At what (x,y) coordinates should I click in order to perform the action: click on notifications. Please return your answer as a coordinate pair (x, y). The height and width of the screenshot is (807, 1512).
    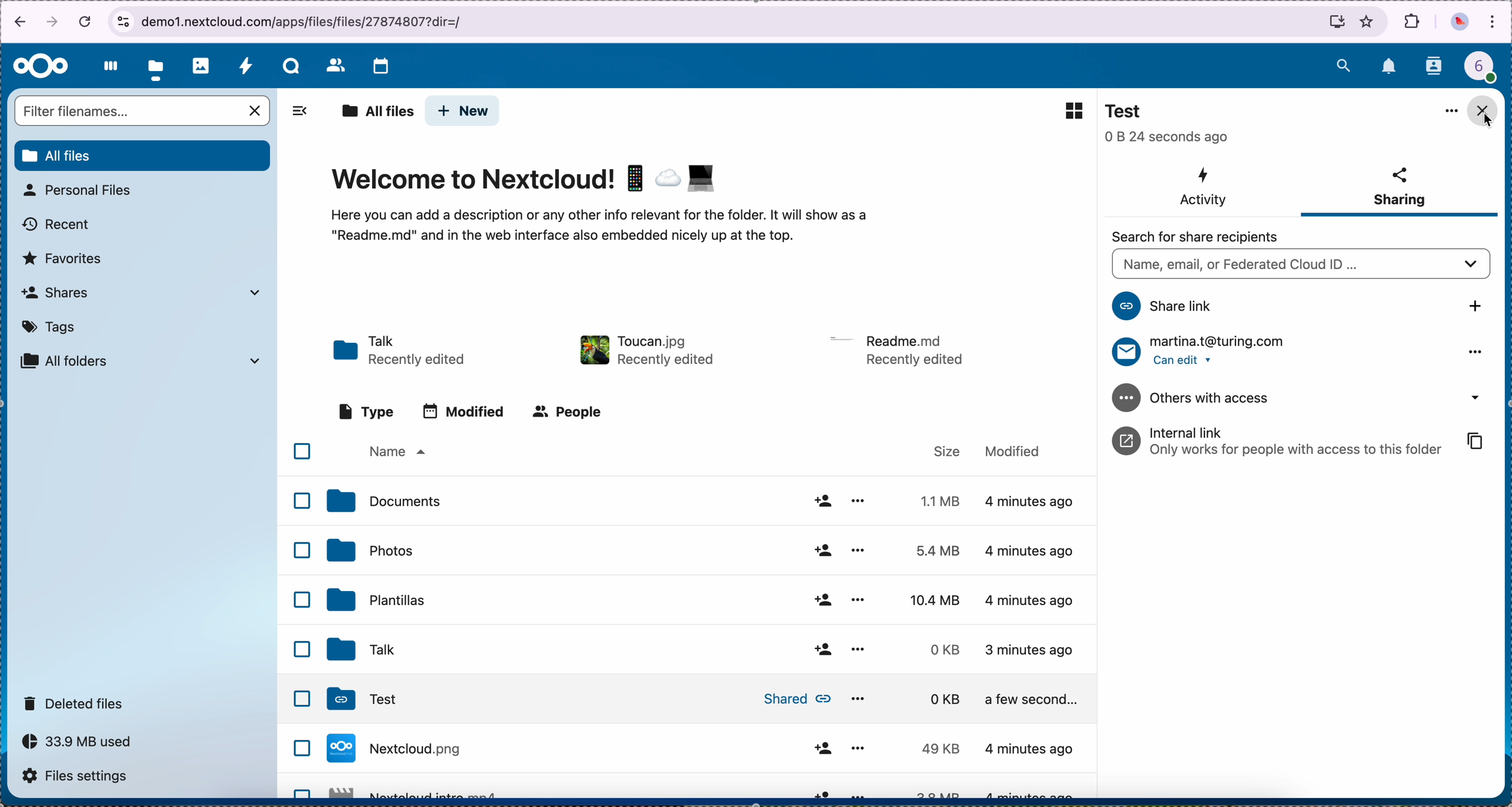
    Looking at the image, I should click on (1390, 67).